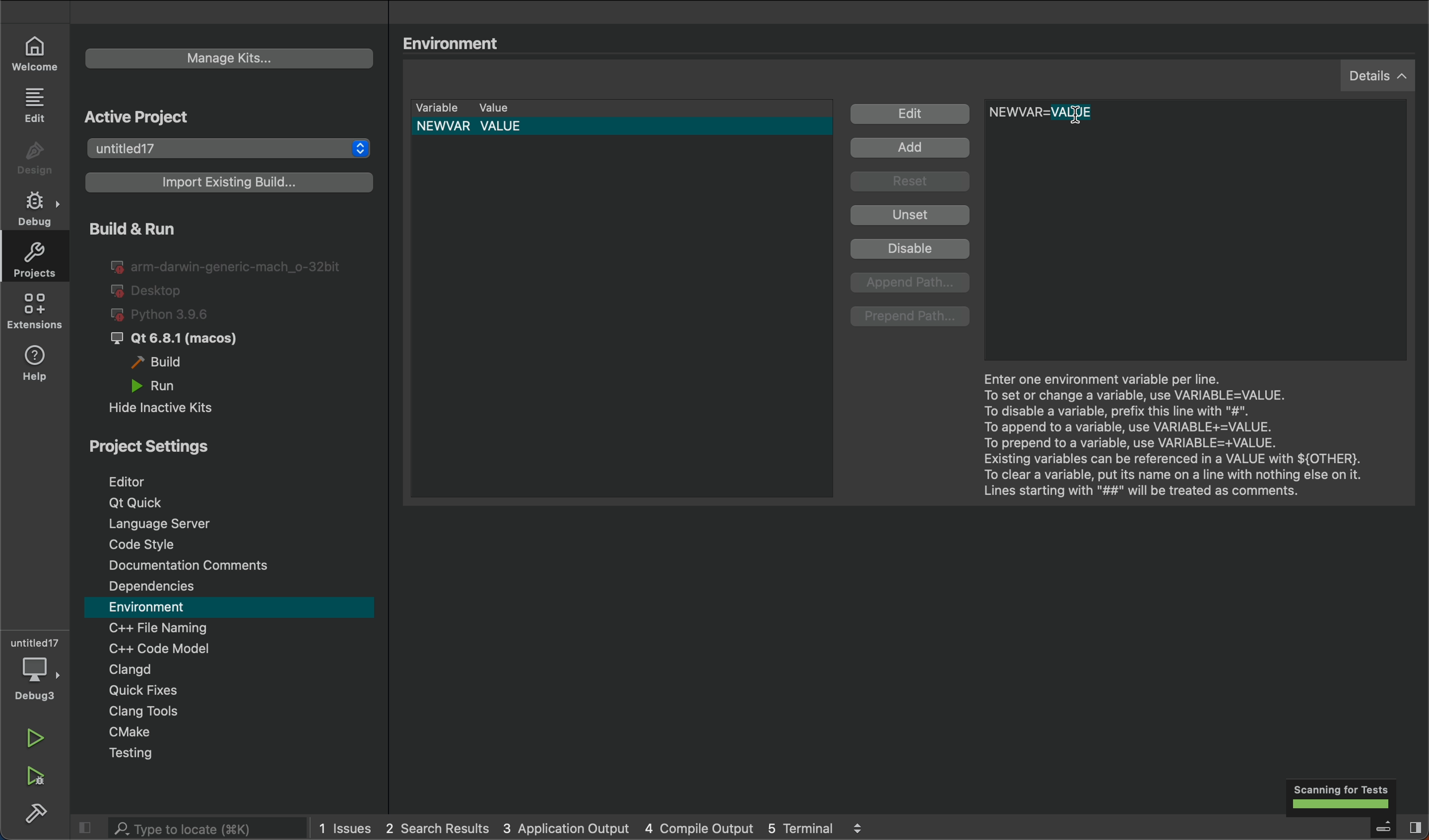  I want to click on projects, so click(34, 257).